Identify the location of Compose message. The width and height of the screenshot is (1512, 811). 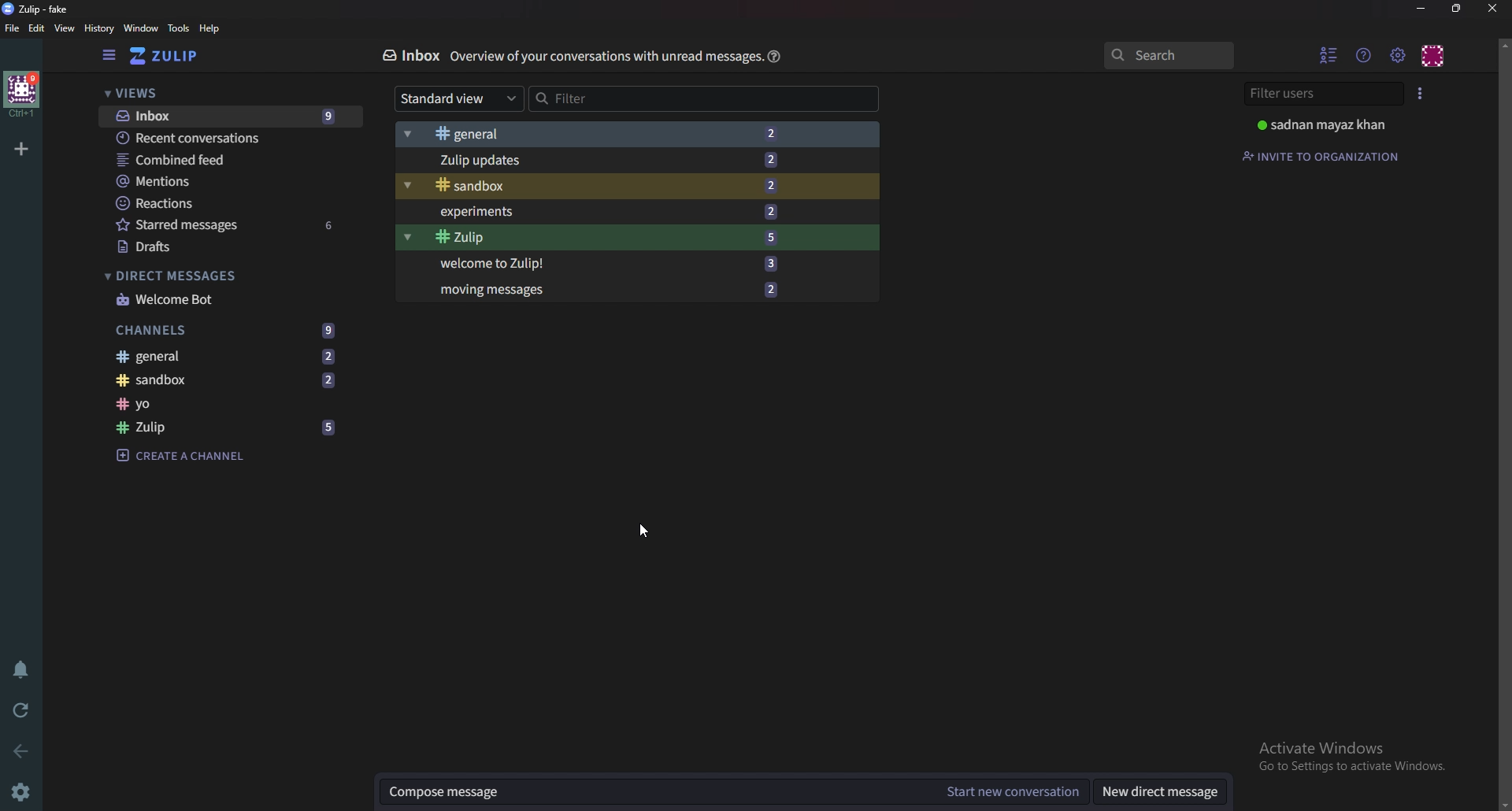
(652, 791).